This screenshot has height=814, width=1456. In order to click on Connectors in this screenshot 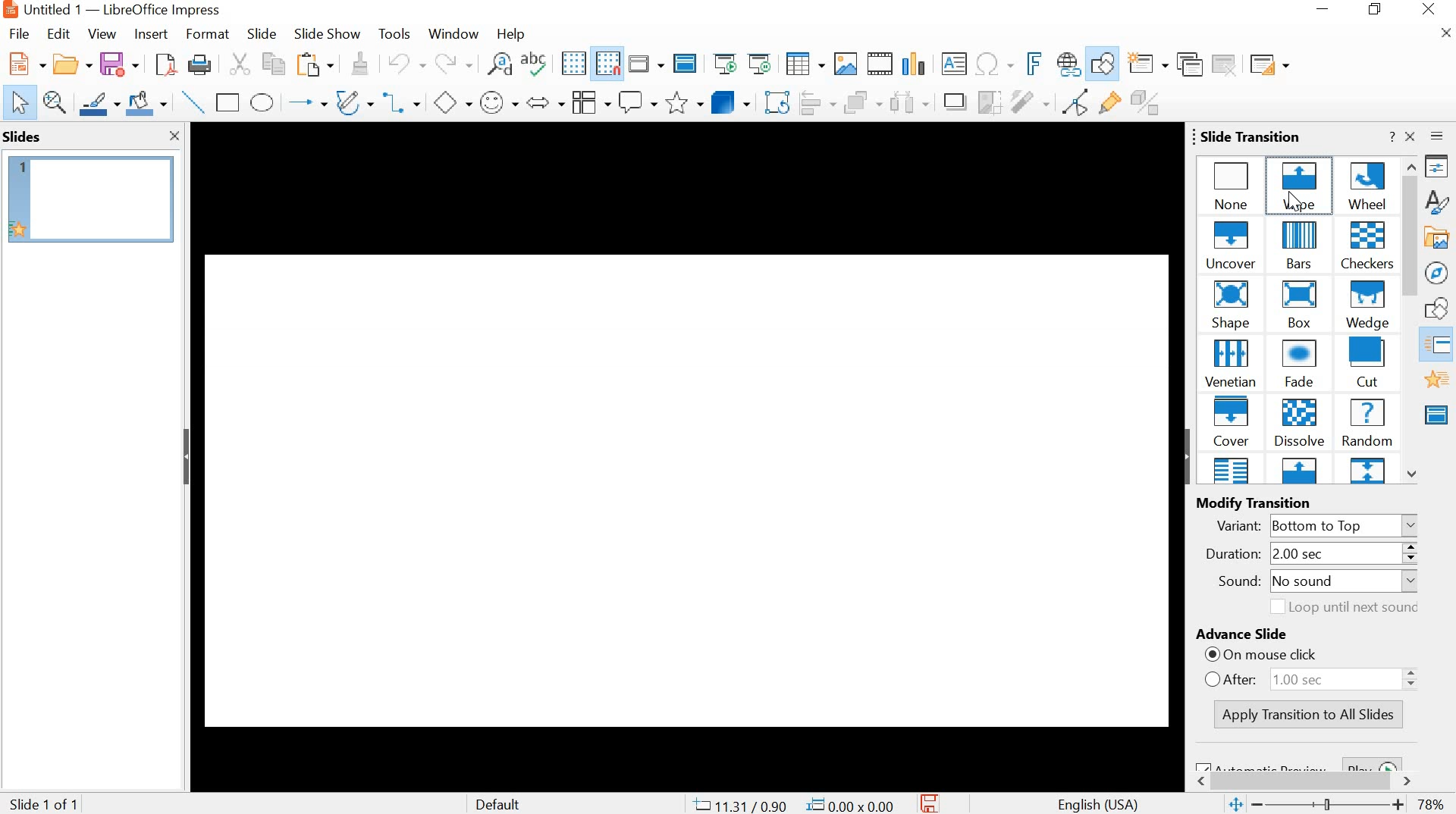, I will do `click(405, 101)`.